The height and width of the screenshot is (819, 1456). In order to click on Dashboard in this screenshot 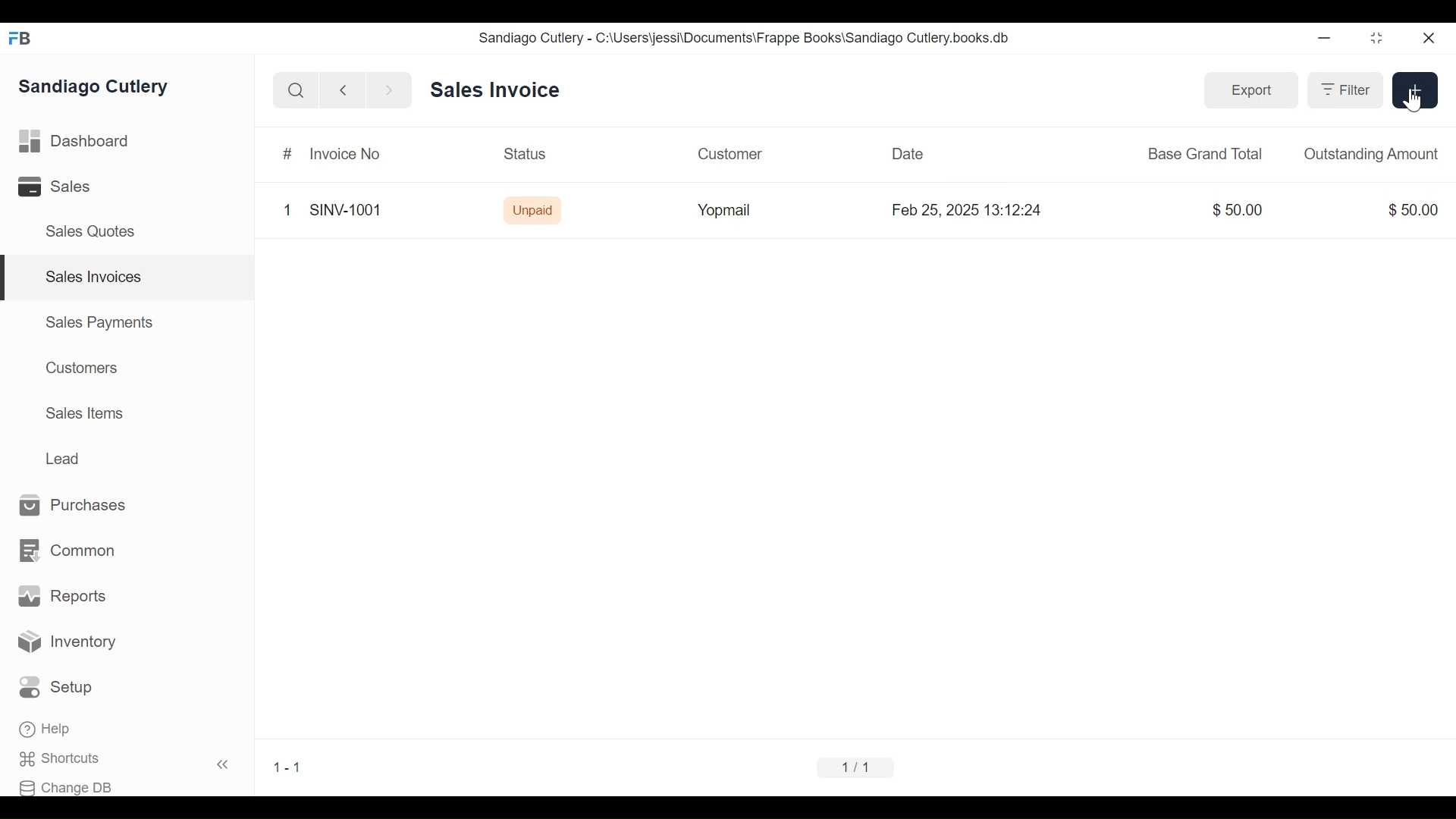, I will do `click(75, 140)`.